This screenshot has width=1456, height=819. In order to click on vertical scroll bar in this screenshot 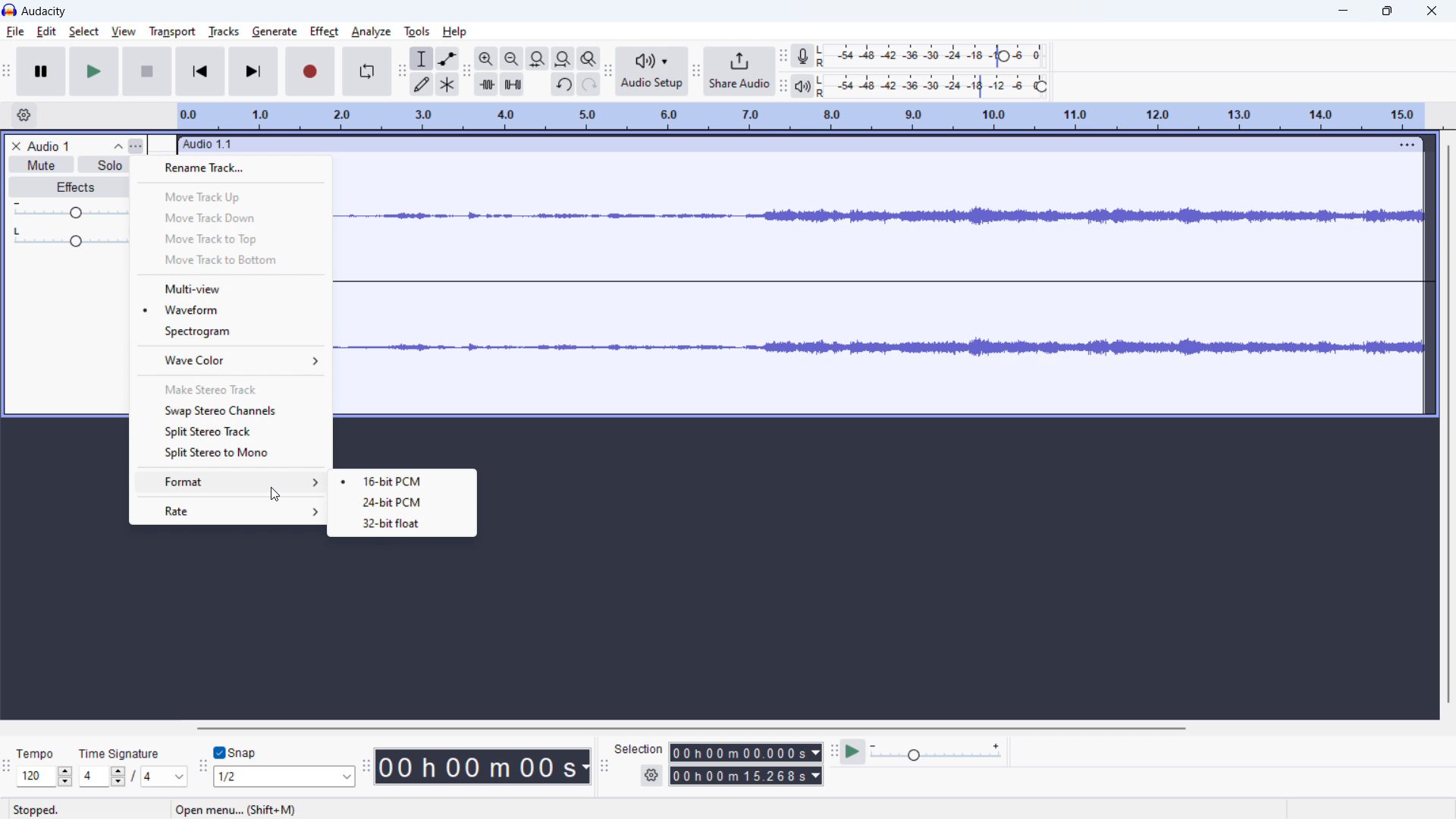, I will do `click(1446, 424)`.